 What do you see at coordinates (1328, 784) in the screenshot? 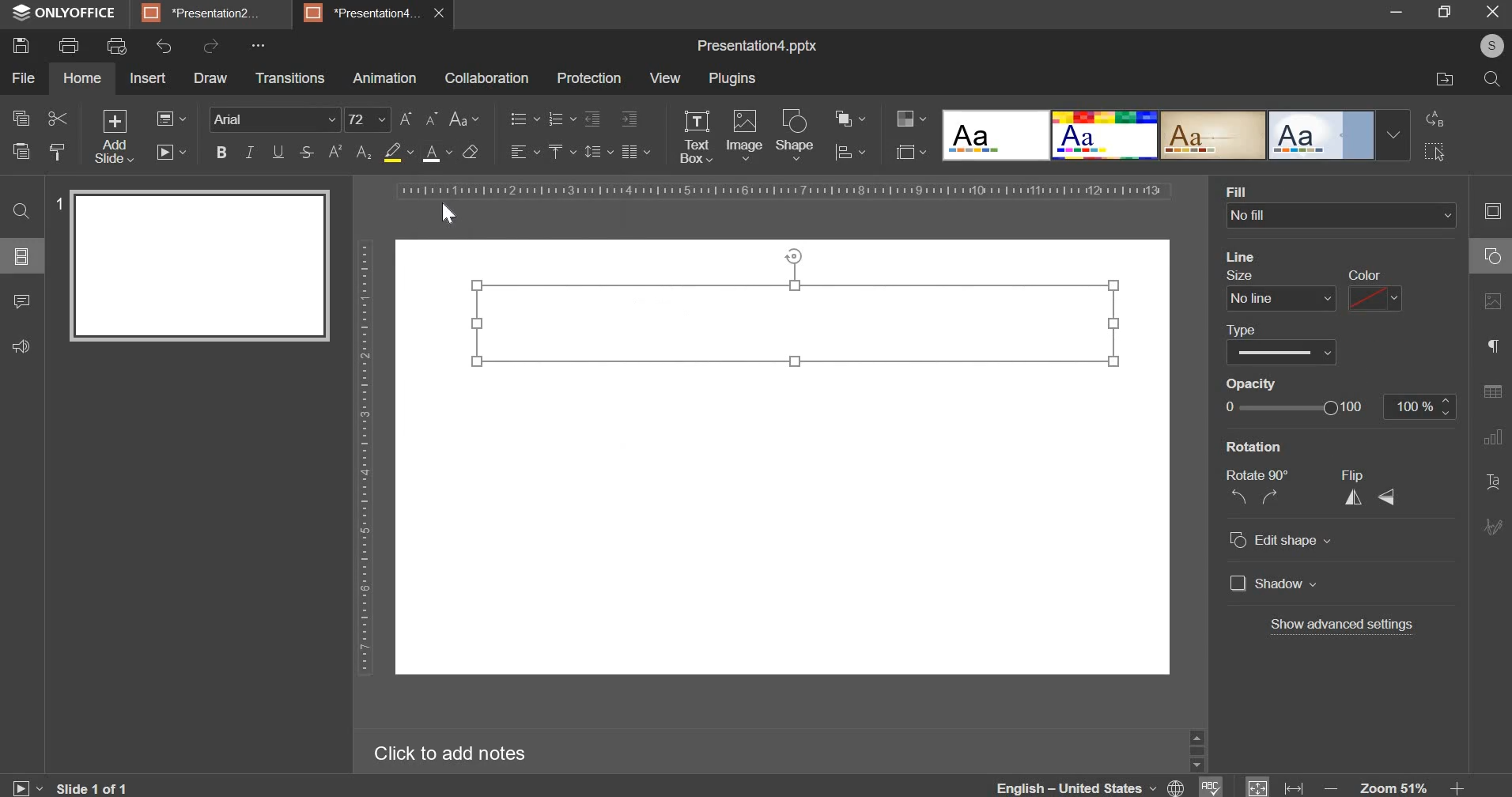
I see `zoom out` at bounding box center [1328, 784].